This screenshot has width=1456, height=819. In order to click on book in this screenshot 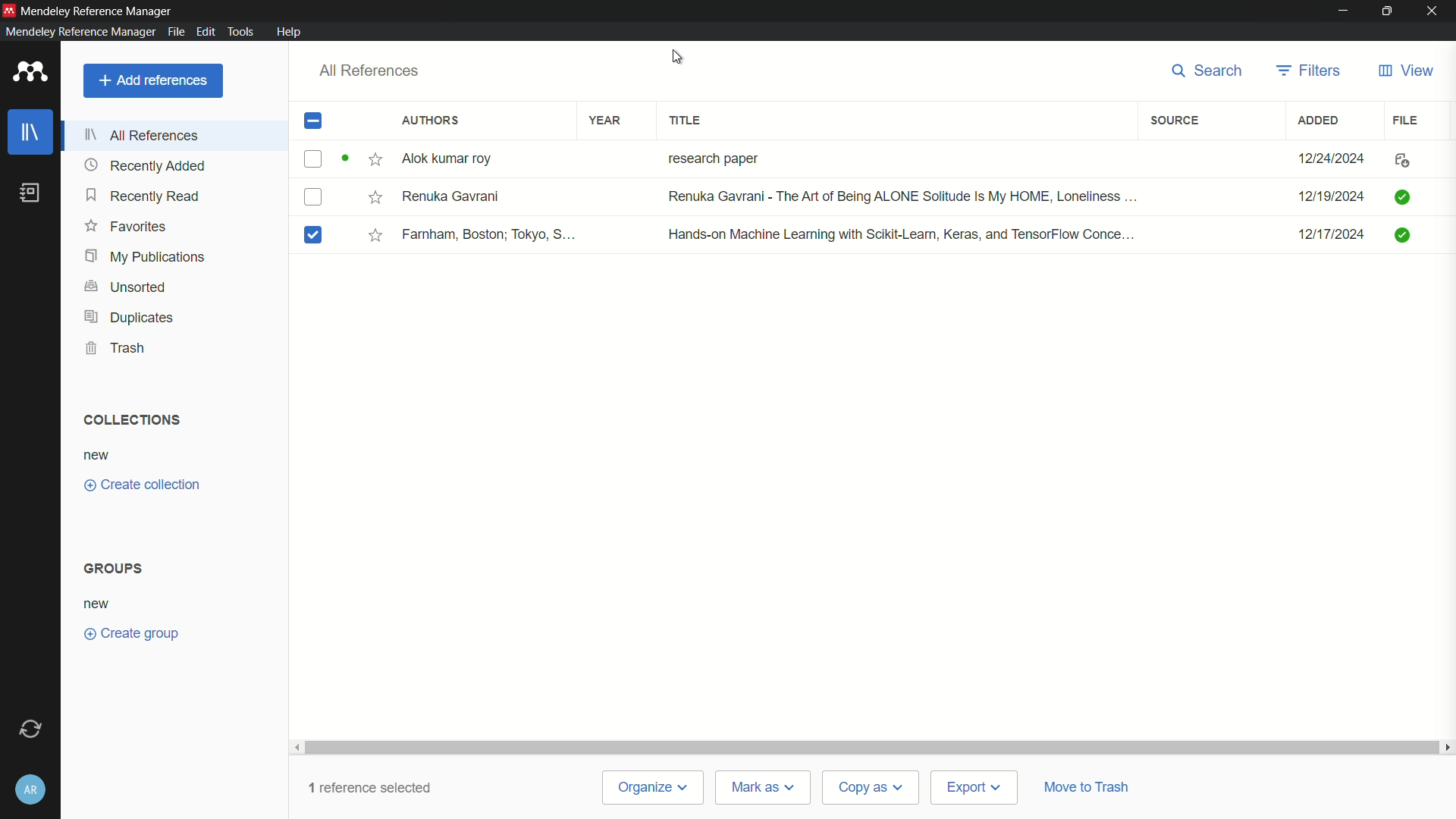, I will do `click(30, 193)`.